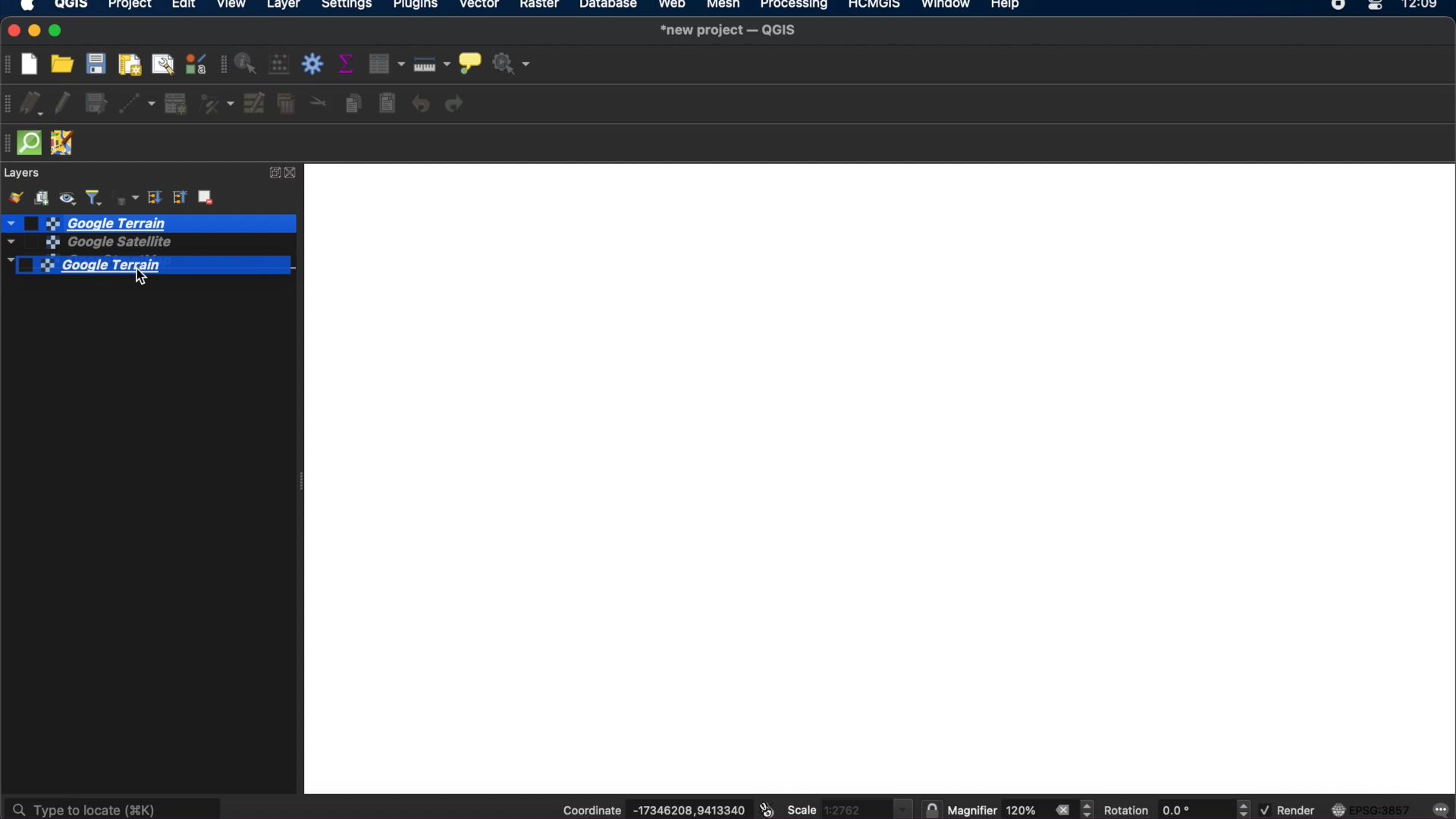  I want to click on measure line, so click(433, 64).